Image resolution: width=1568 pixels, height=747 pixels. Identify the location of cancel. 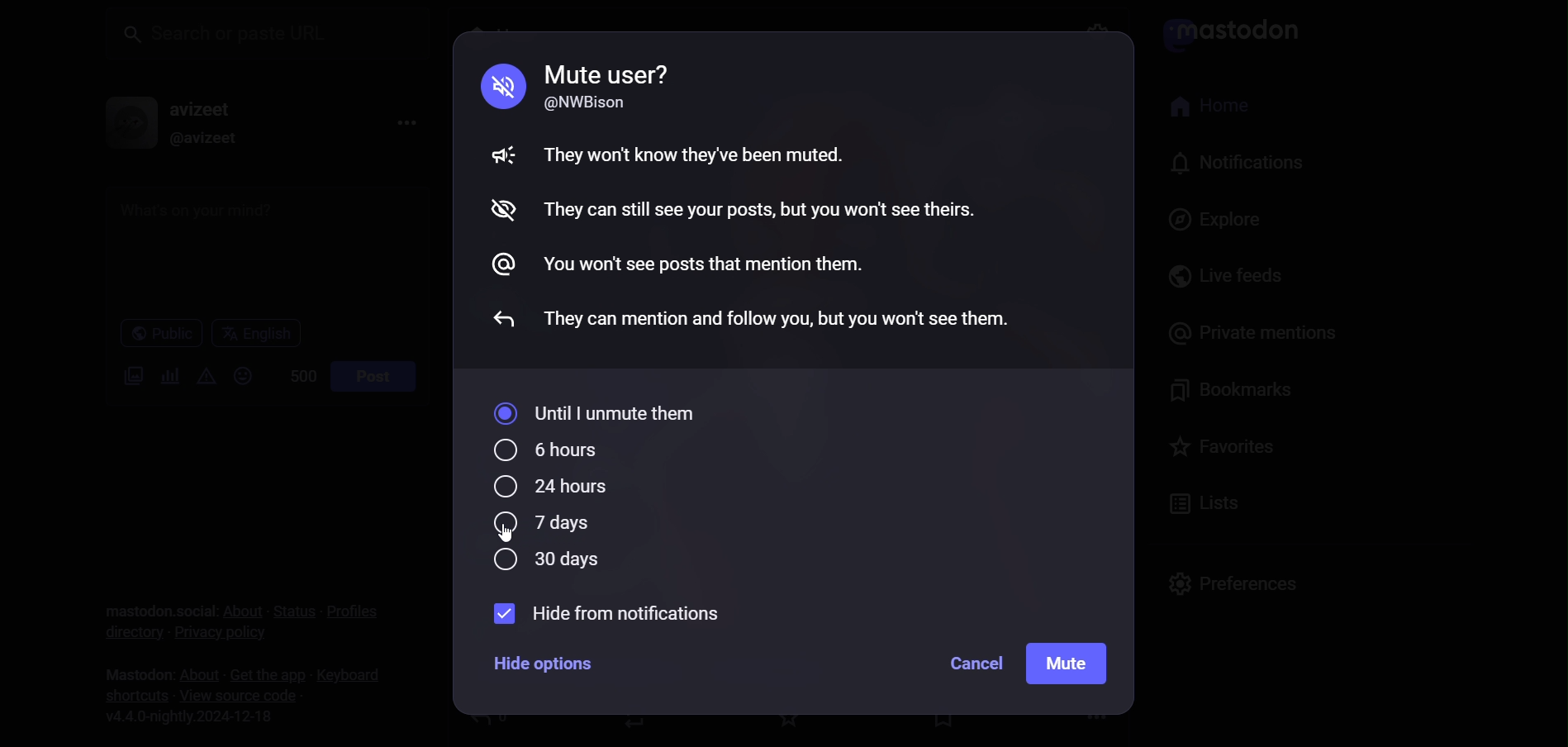
(975, 668).